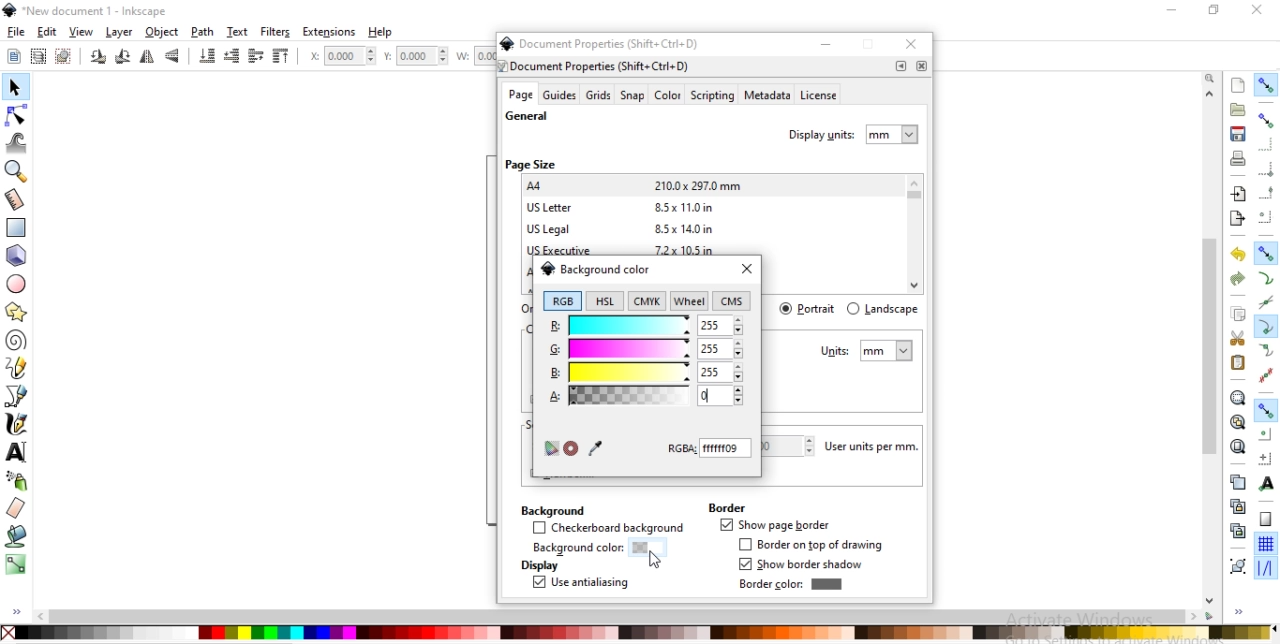  I want to click on select and transform objects, so click(14, 88).